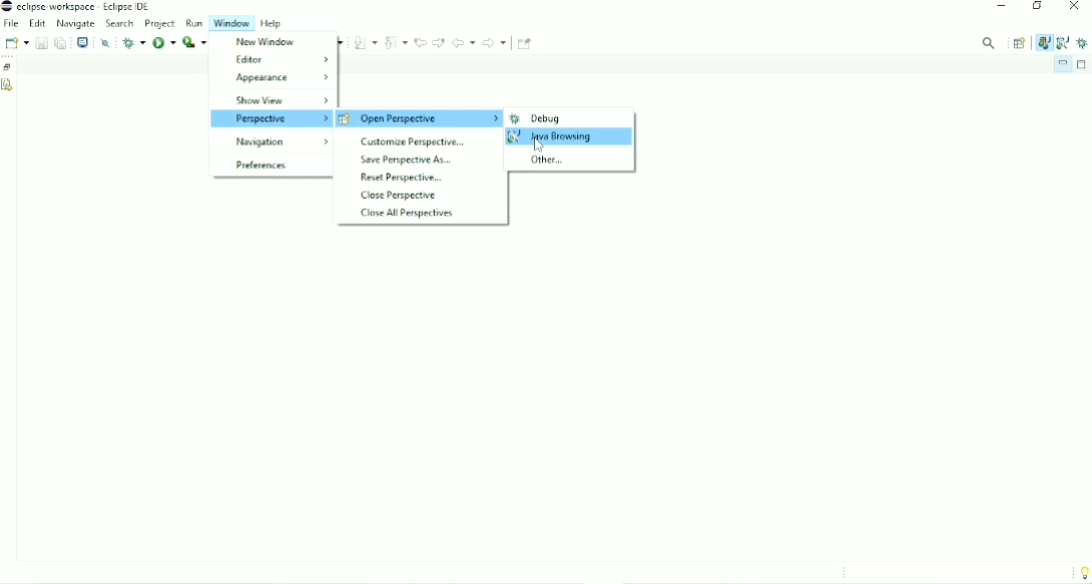 This screenshot has height=584, width=1092. I want to click on Previous edit location, so click(420, 42).